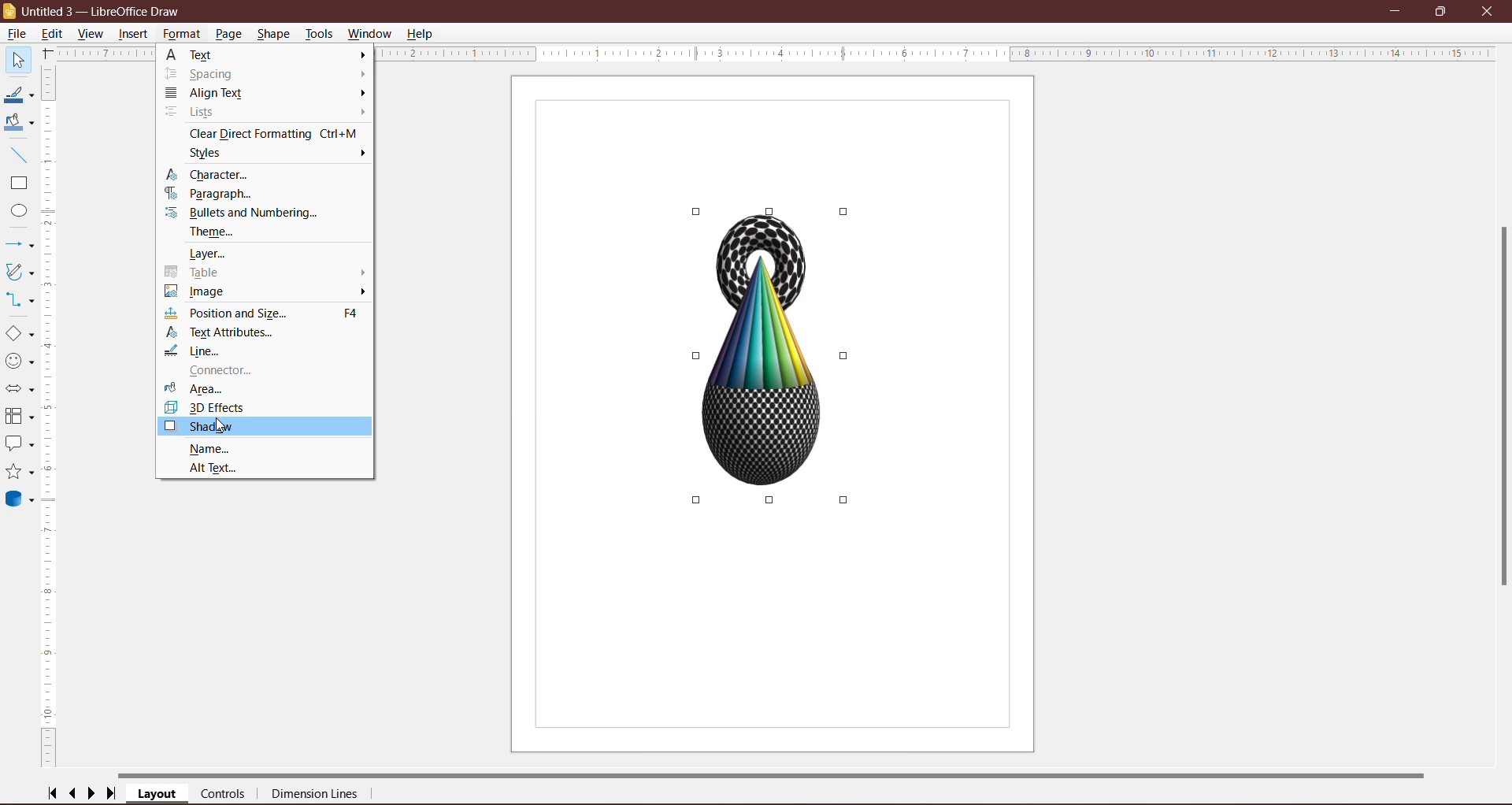 The image size is (1512, 805). What do you see at coordinates (207, 73) in the screenshot?
I see `Spacing` at bounding box center [207, 73].